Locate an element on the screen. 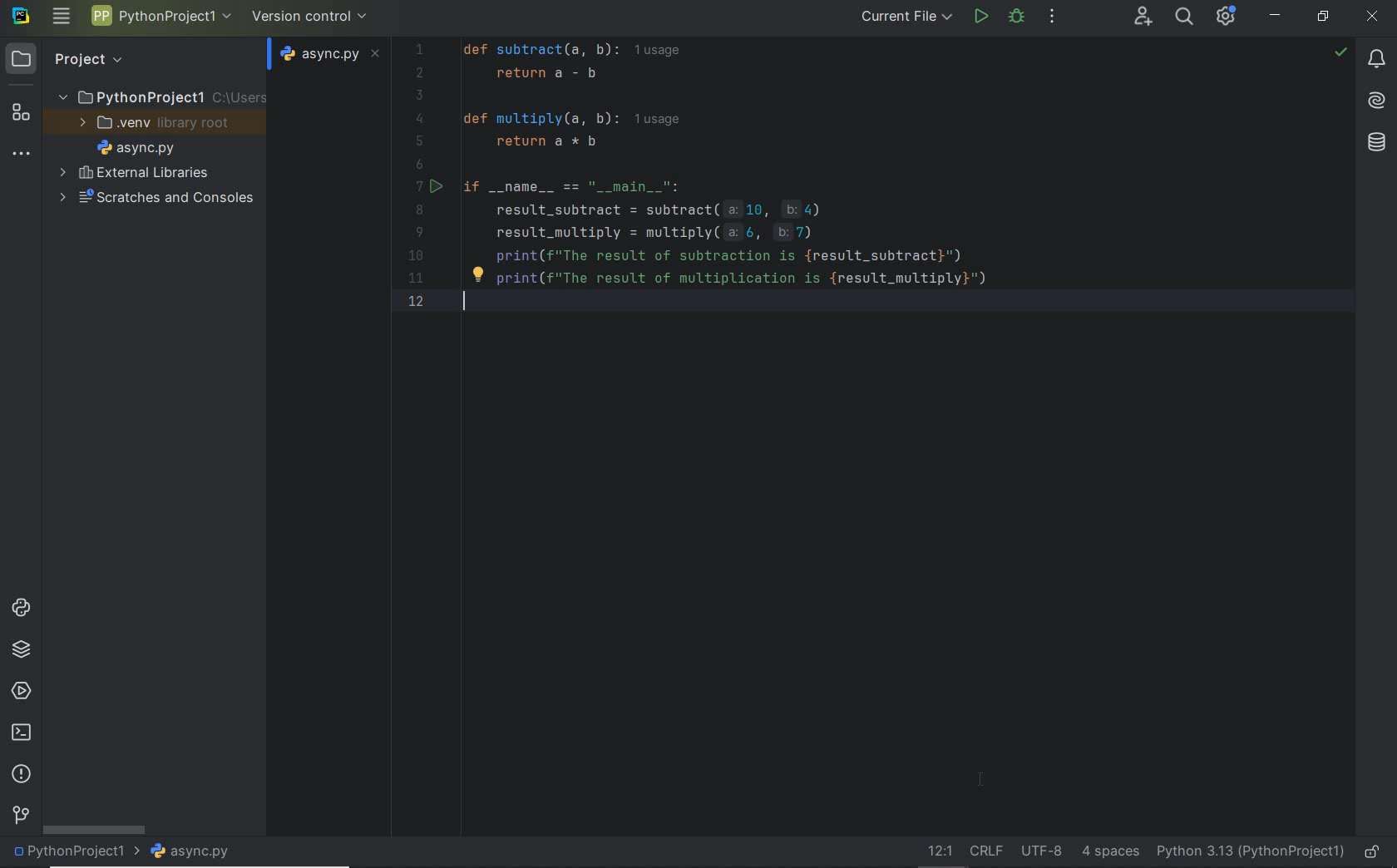 The height and width of the screenshot is (868, 1397). python packages is located at coordinates (24, 652).